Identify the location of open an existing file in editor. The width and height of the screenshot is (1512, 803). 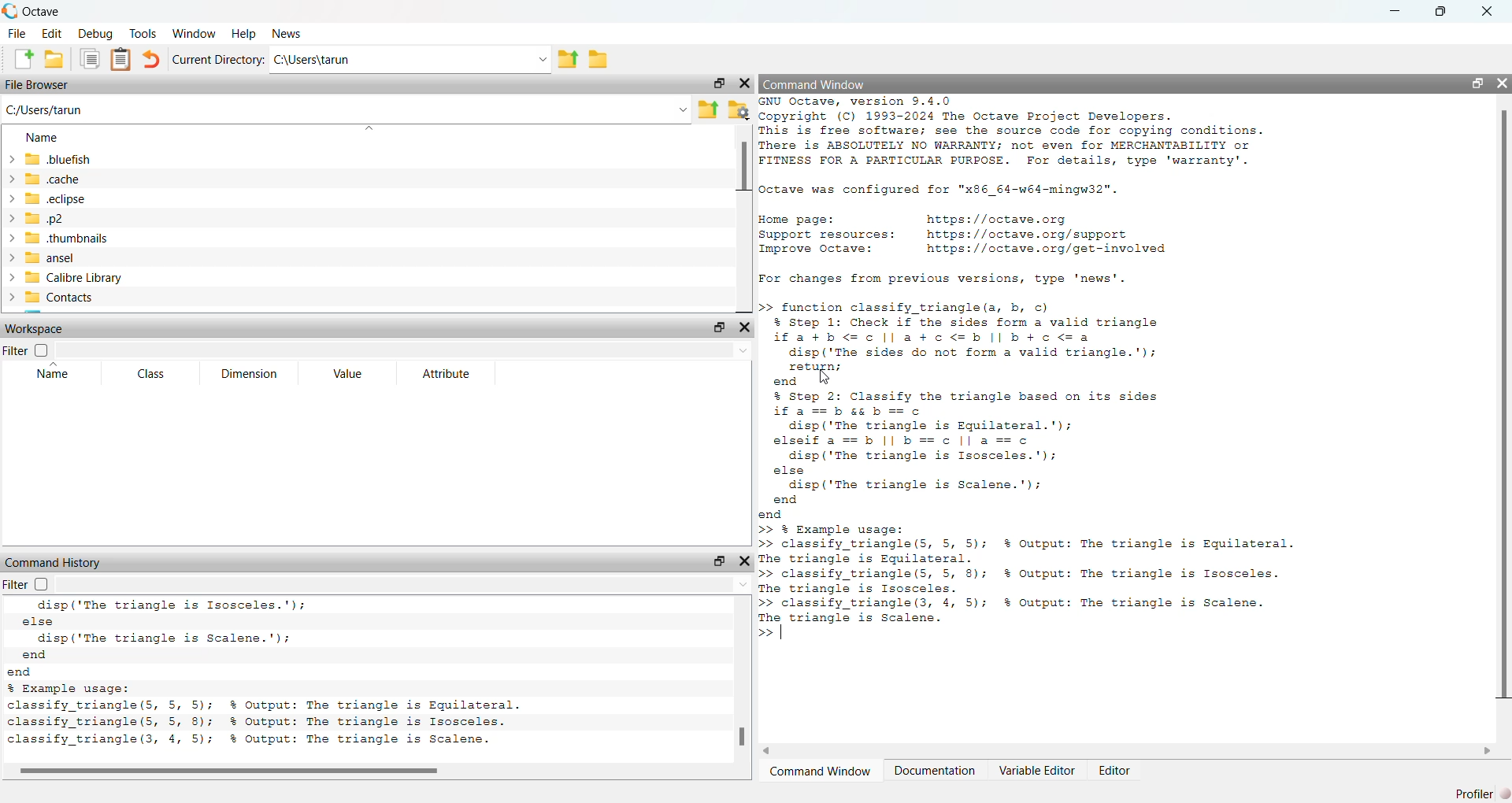
(54, 59).